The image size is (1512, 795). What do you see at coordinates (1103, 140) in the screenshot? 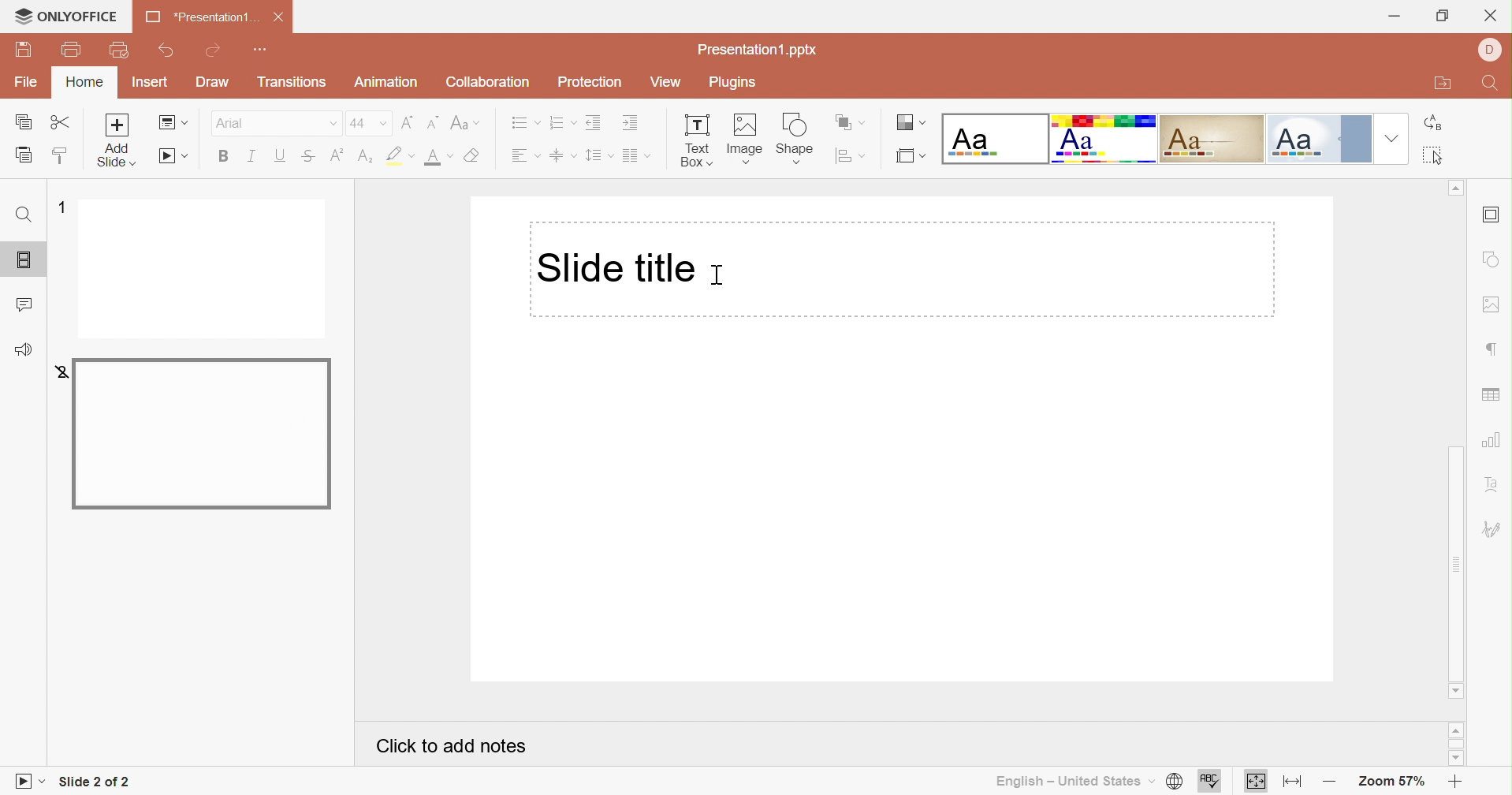
I see `Basic` at bounding box center [1103, 140].